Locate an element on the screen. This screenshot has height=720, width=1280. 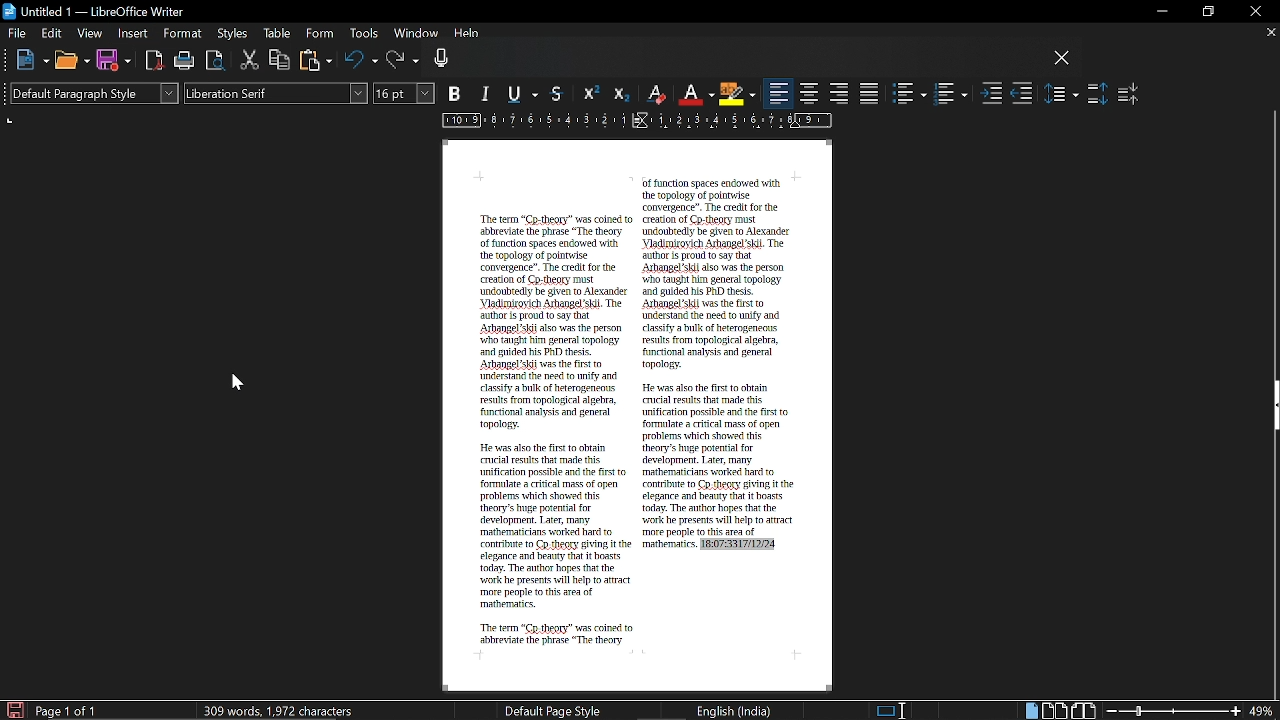
Default page style is located at coordinates (553, 710).